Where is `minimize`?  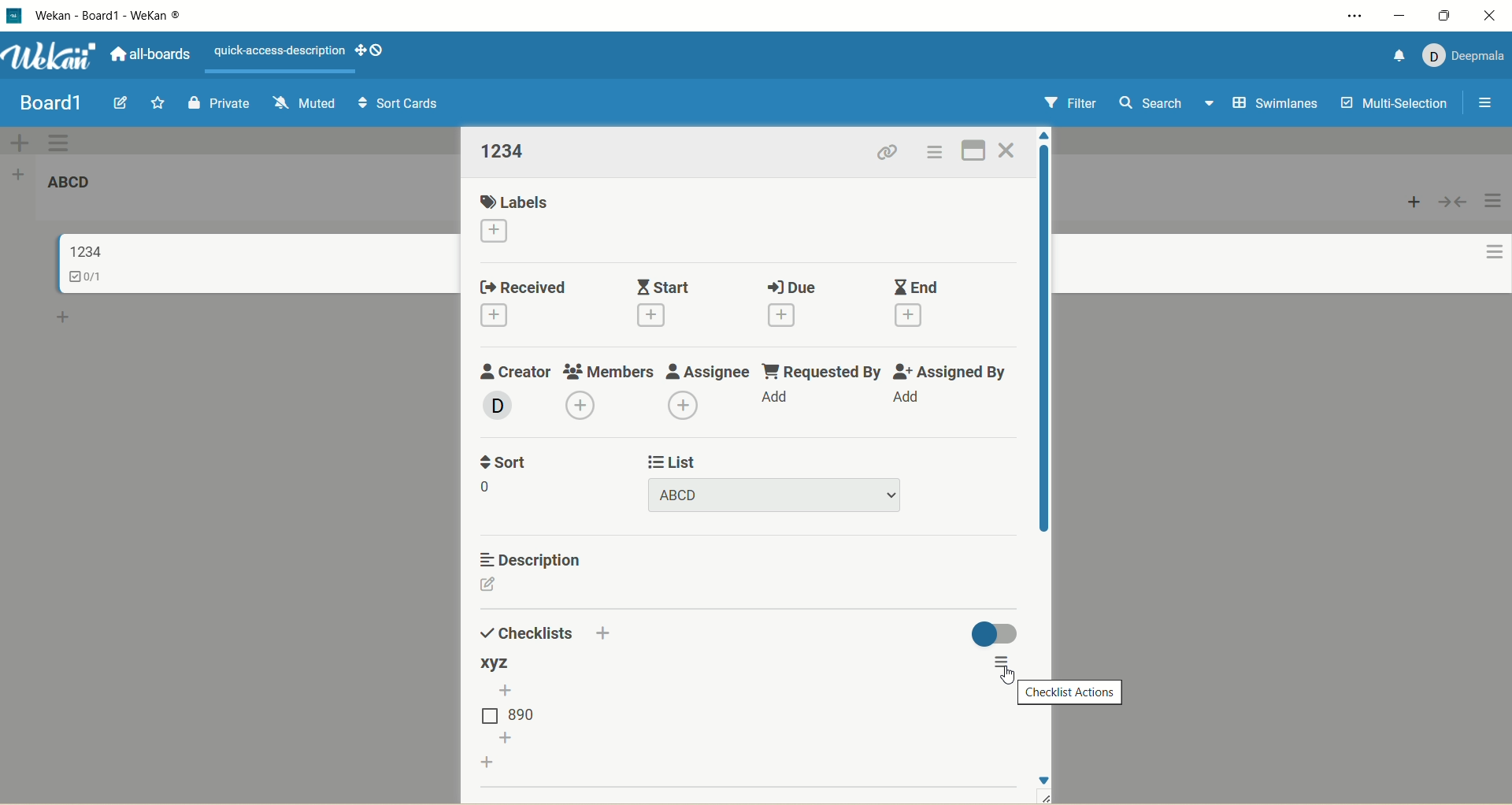 minimize is located at coordinates (1400, 17).